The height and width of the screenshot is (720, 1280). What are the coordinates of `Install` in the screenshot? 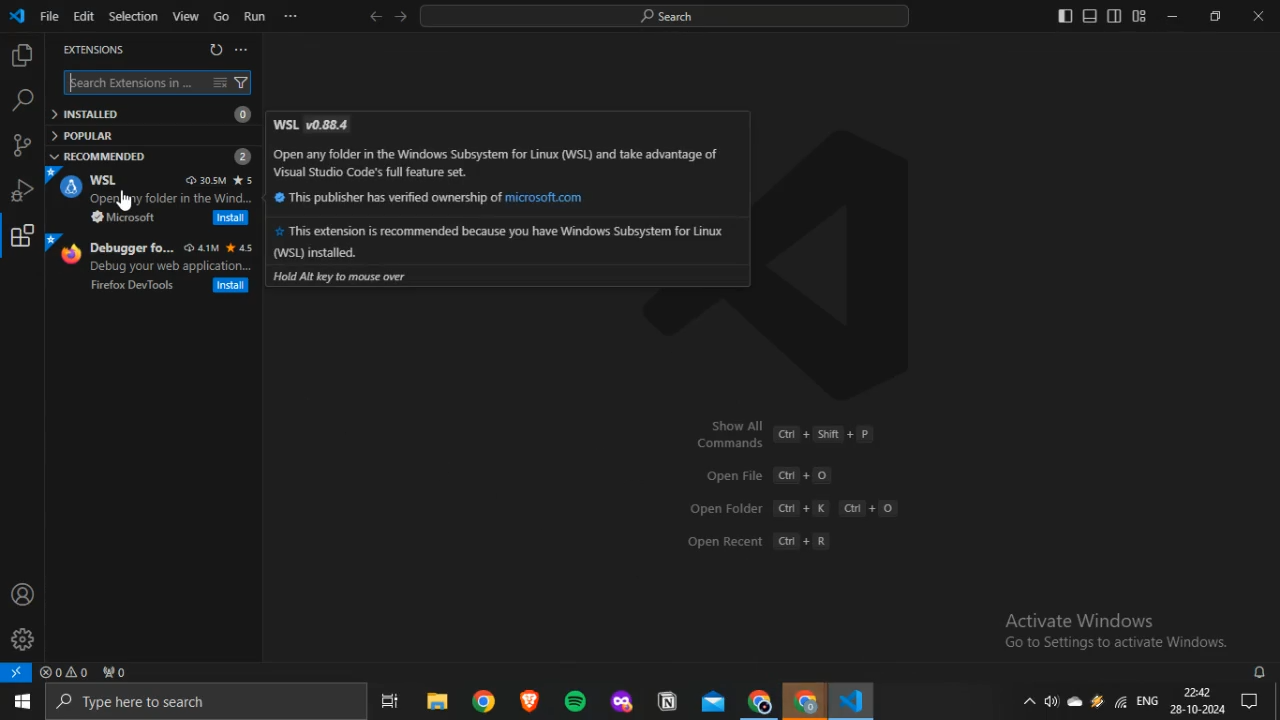 It's located at (231, 218).